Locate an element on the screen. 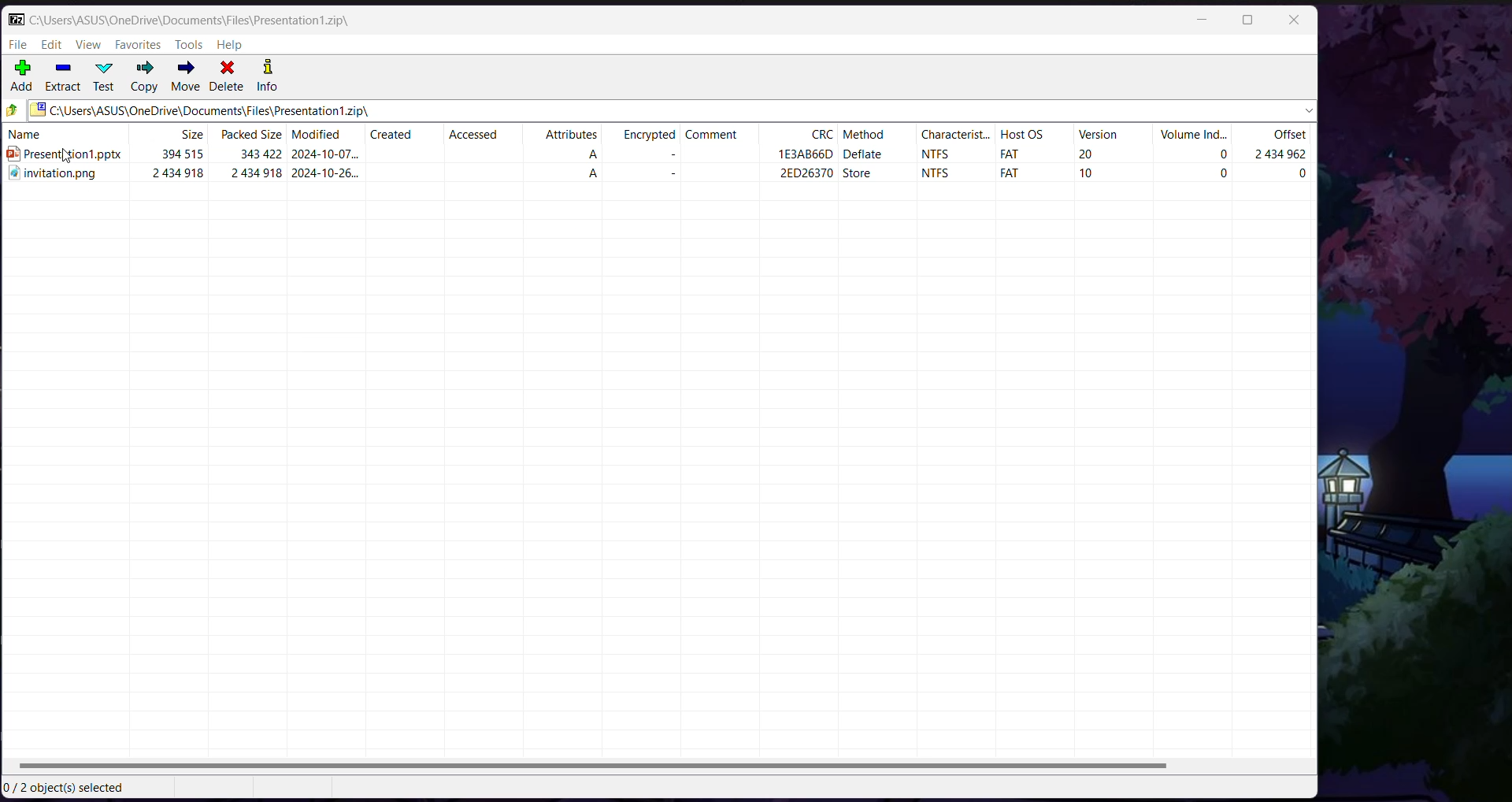  Offset is located at coordinates (1288, 136).